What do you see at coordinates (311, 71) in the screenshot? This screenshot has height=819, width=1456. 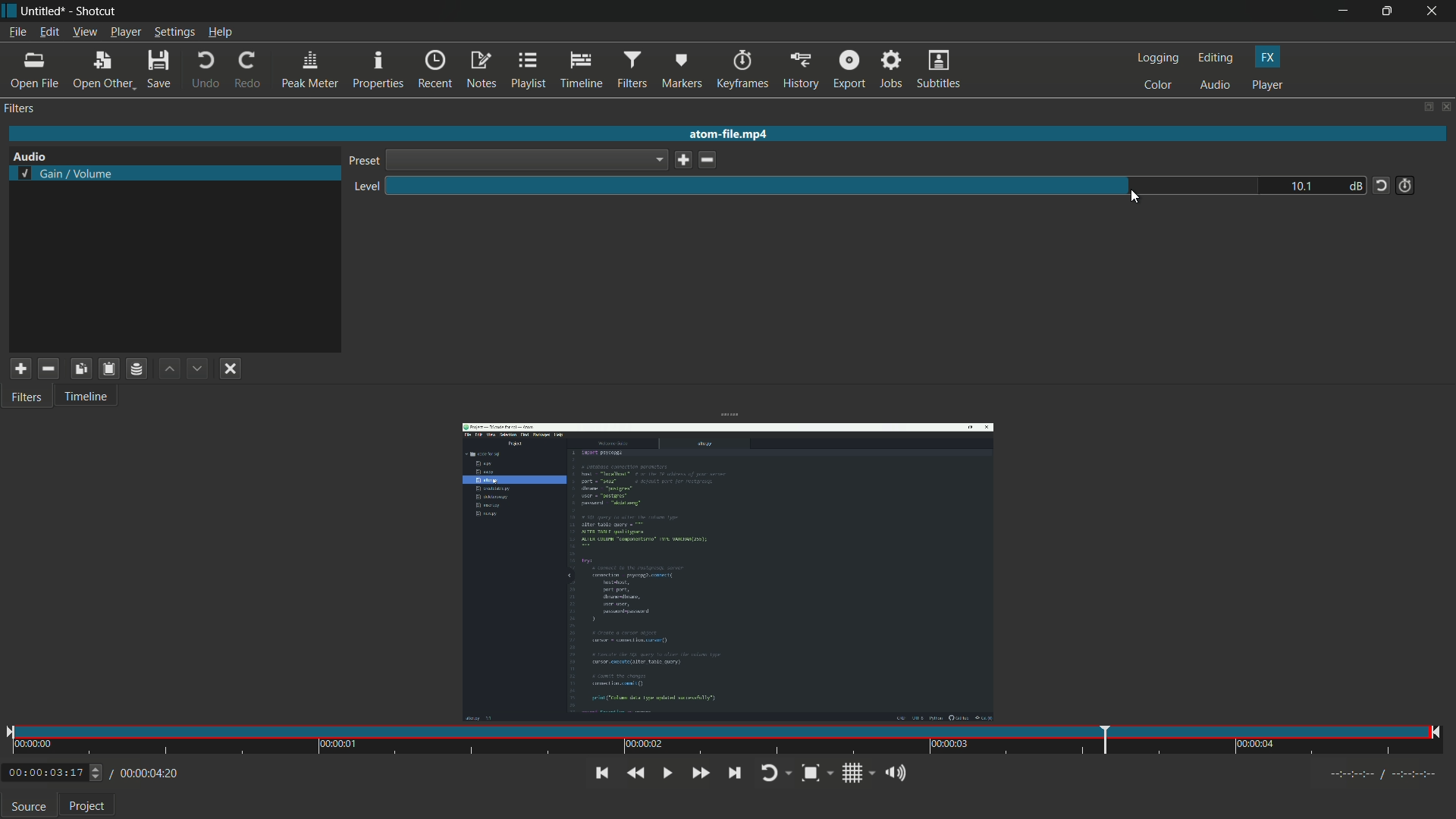 I see `peak meter` at bounding box center [311, 71].